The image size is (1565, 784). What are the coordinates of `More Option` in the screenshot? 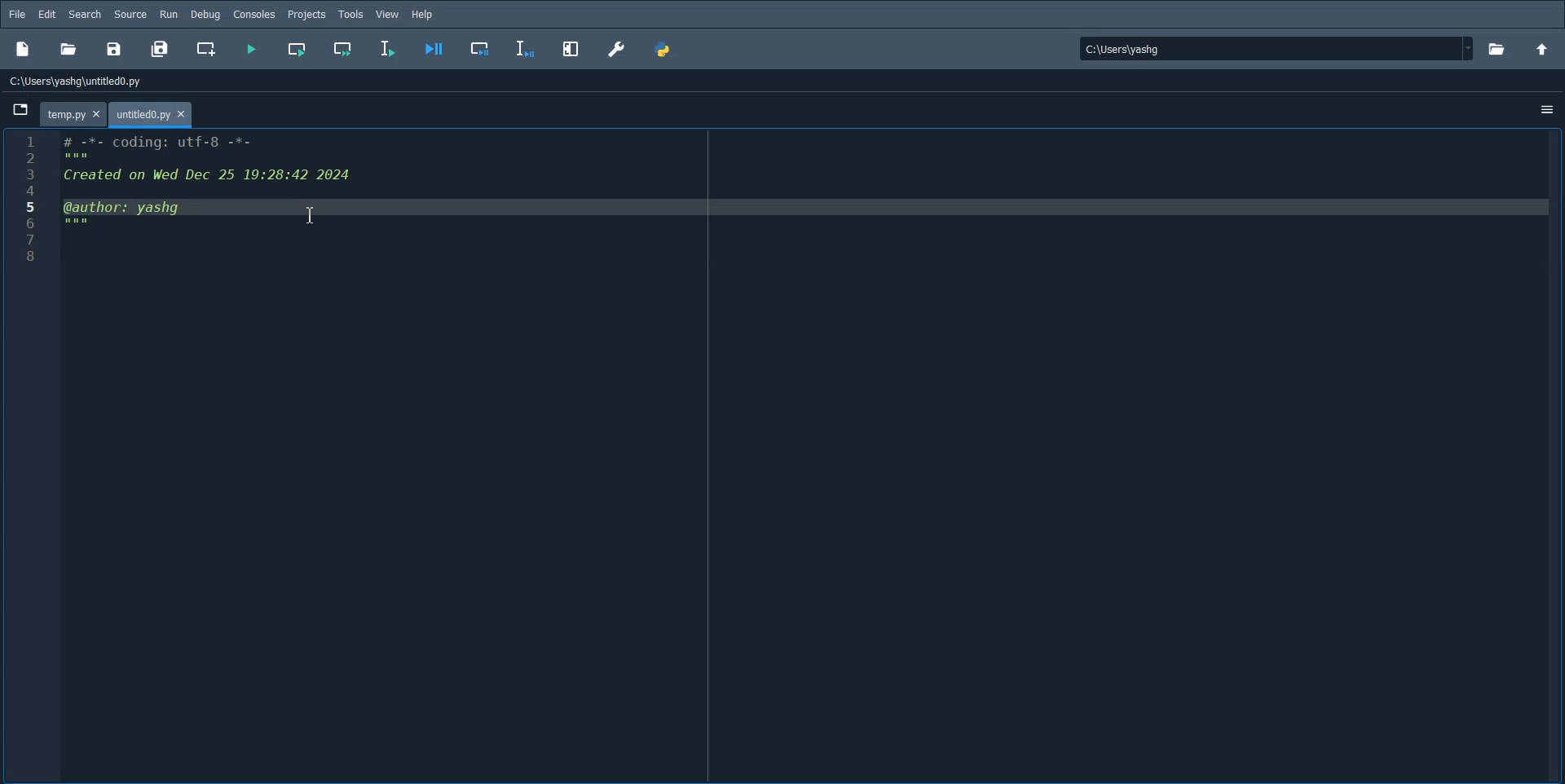 It's located at (1546, 112).